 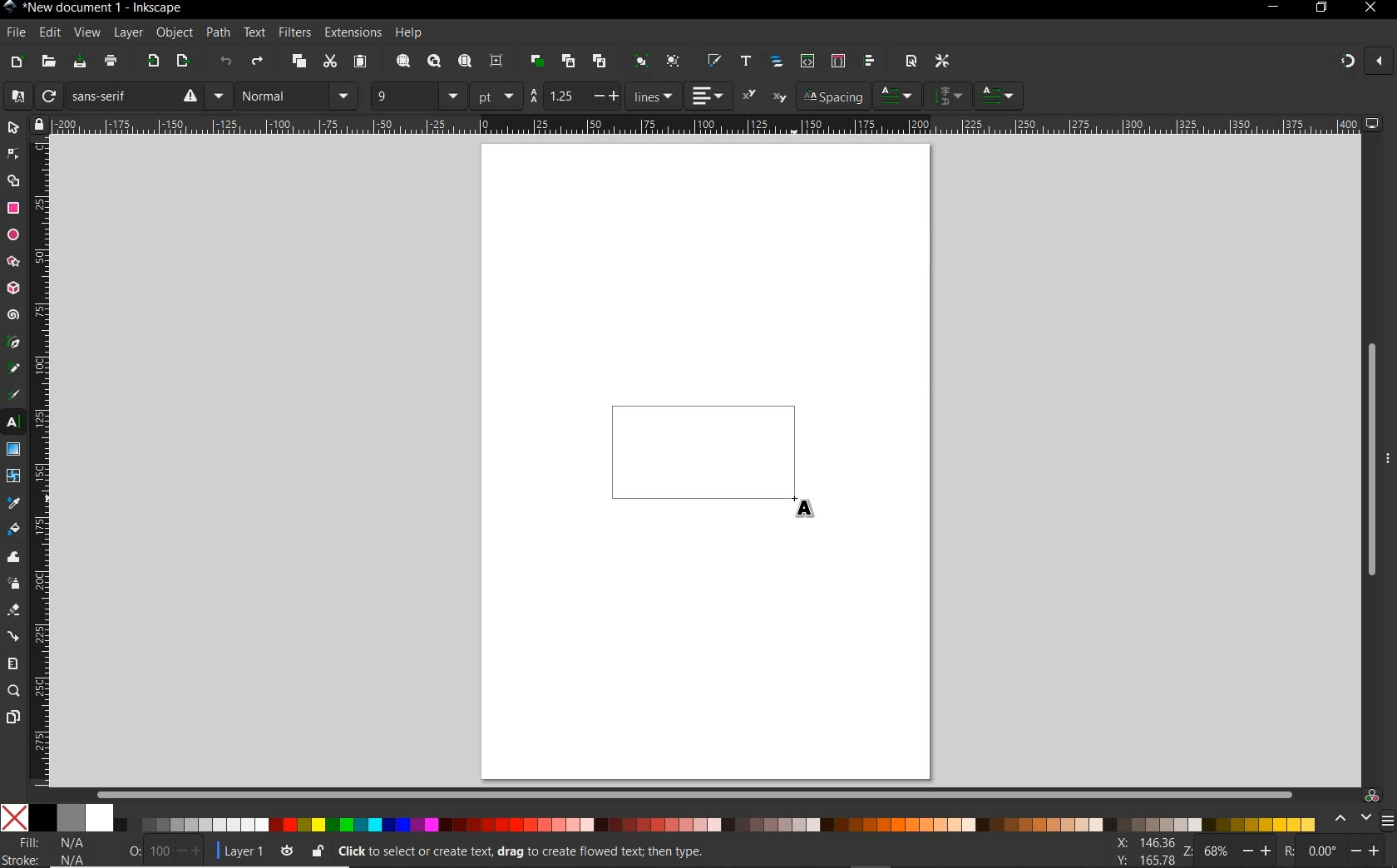 What do you see at coordinates (16, 62) in the screenshot?
I see `new` at bounding box center [16, 62].